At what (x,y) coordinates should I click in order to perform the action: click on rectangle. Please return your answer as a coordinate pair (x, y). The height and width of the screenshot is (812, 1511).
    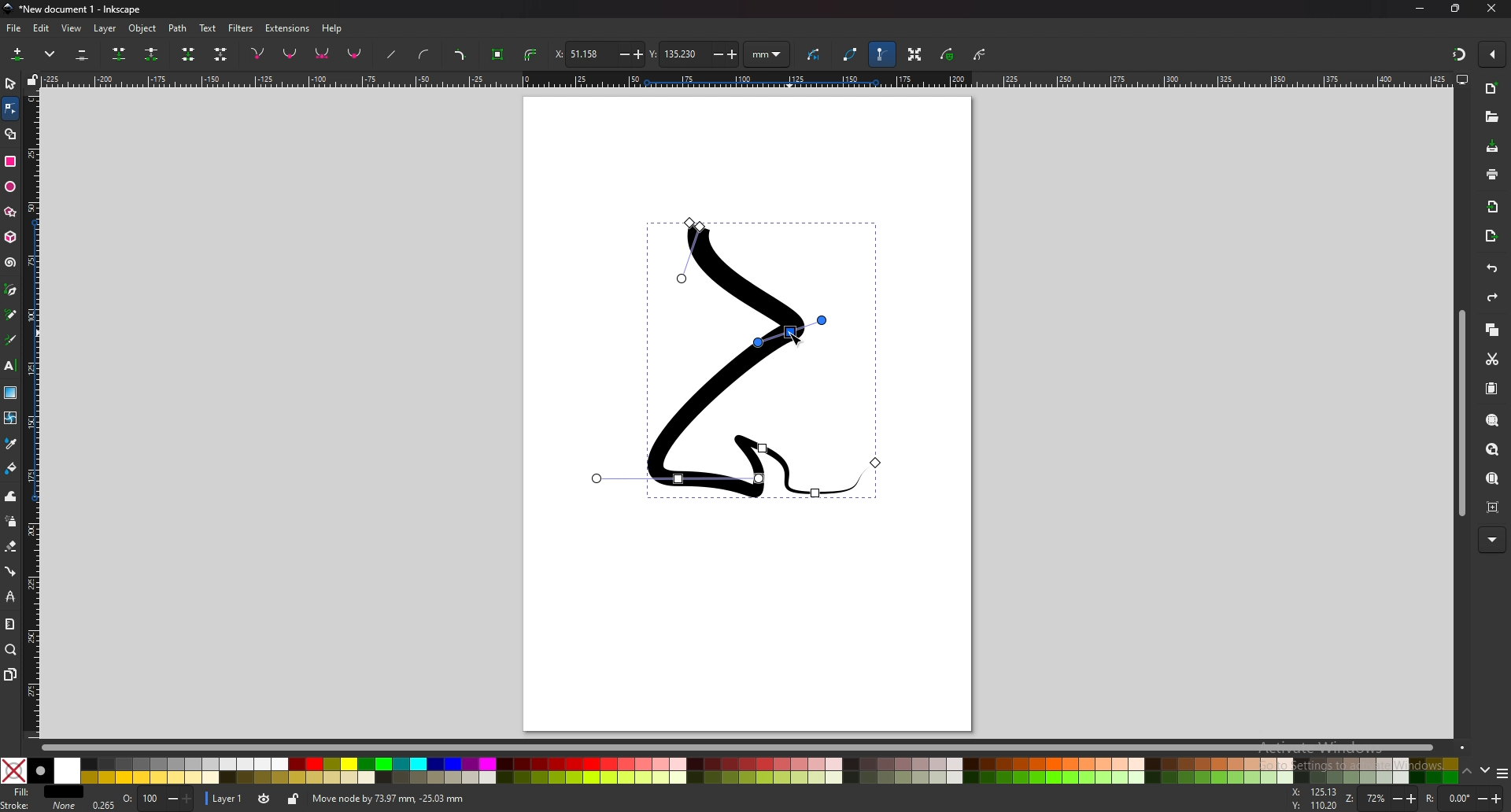
    Looking at the image, I should click on (9, 161).